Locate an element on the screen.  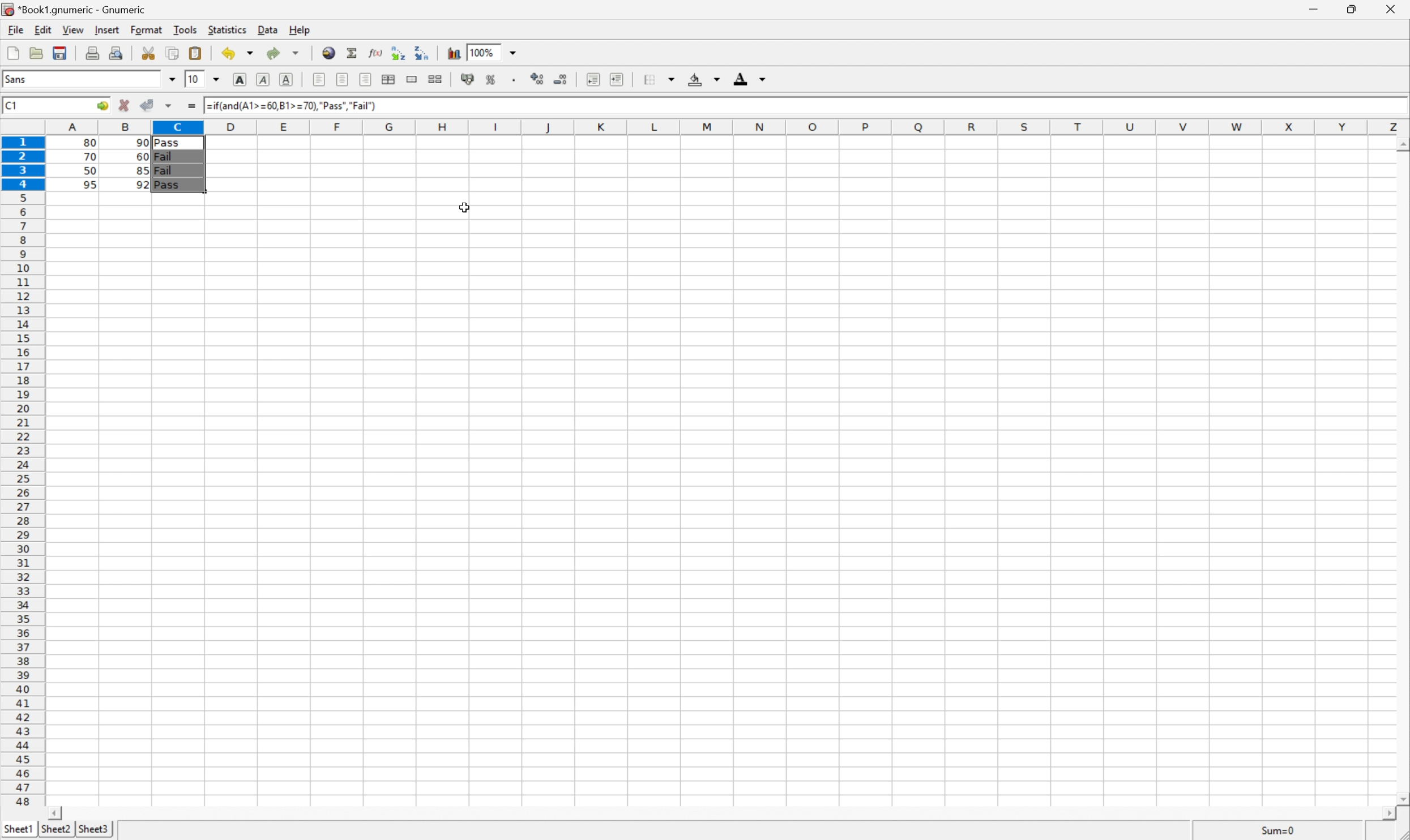
10 is located at coordinates (193, 79).